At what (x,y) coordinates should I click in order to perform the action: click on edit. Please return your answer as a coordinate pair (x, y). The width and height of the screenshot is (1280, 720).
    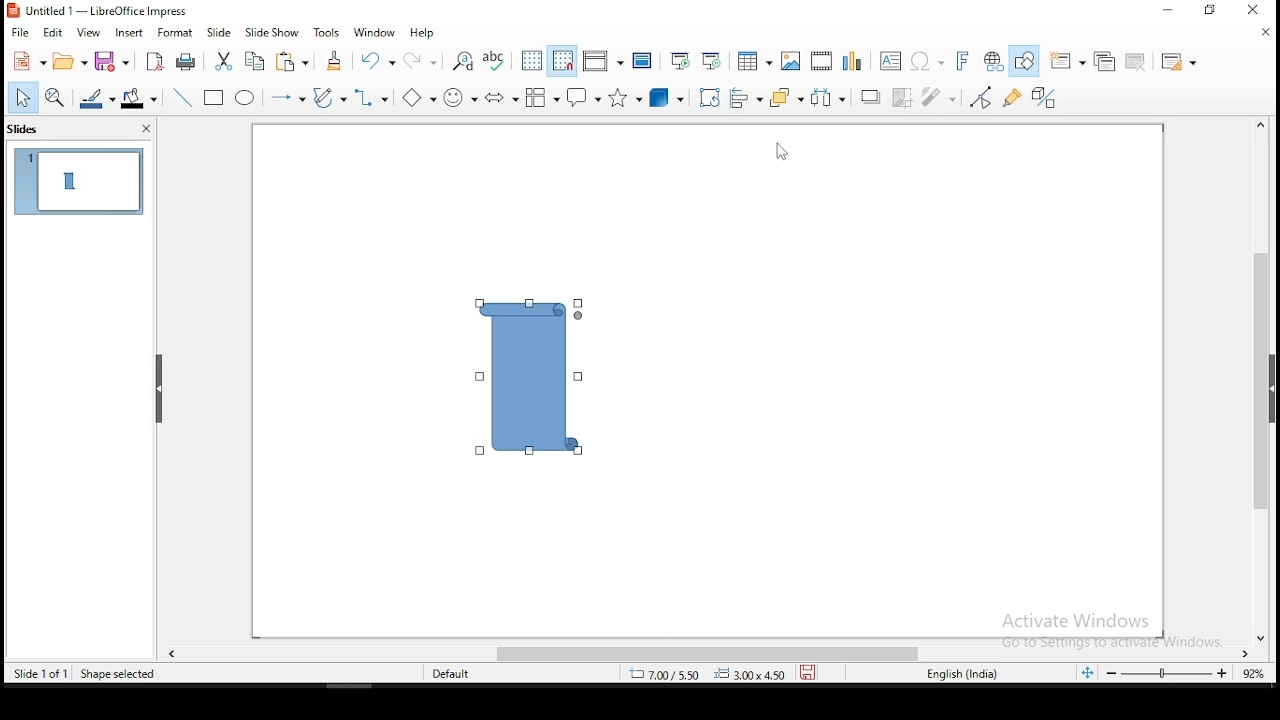
    Looking at the image, I should click on (51, 34).